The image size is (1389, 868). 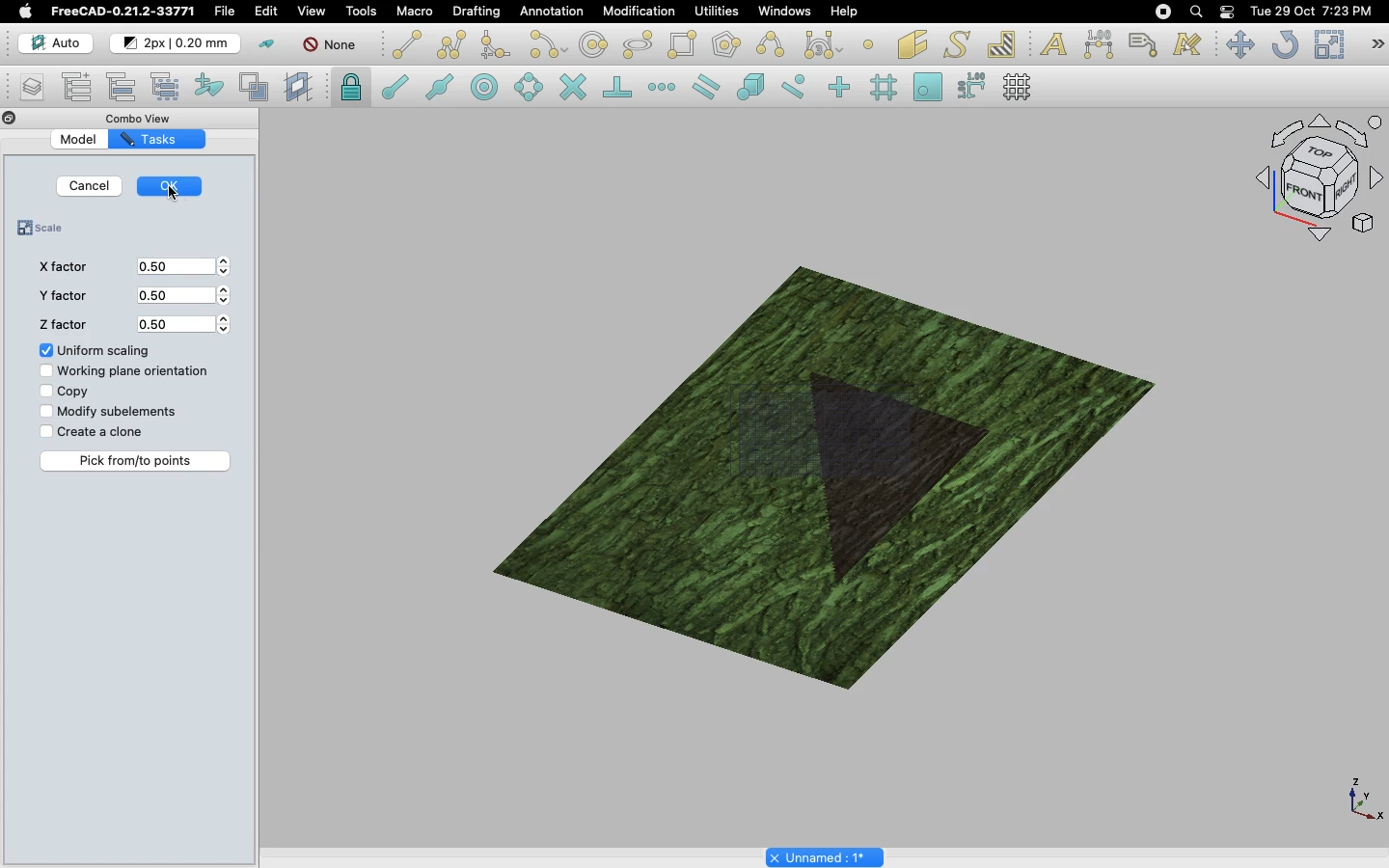 I want to click on Ellipse, so click(x=636, y=43).